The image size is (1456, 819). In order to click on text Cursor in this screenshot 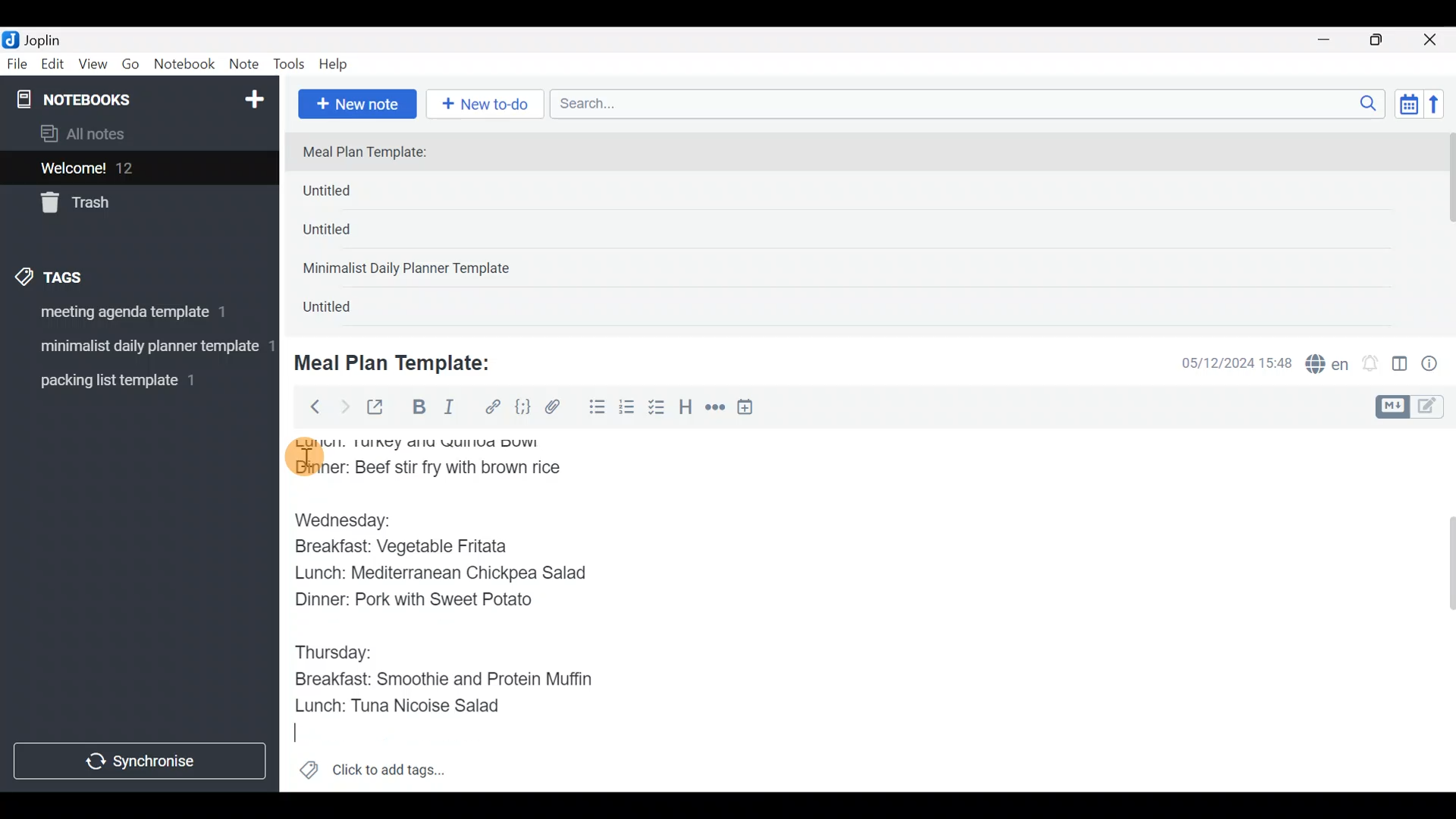, I will do `click(306, 731)`.